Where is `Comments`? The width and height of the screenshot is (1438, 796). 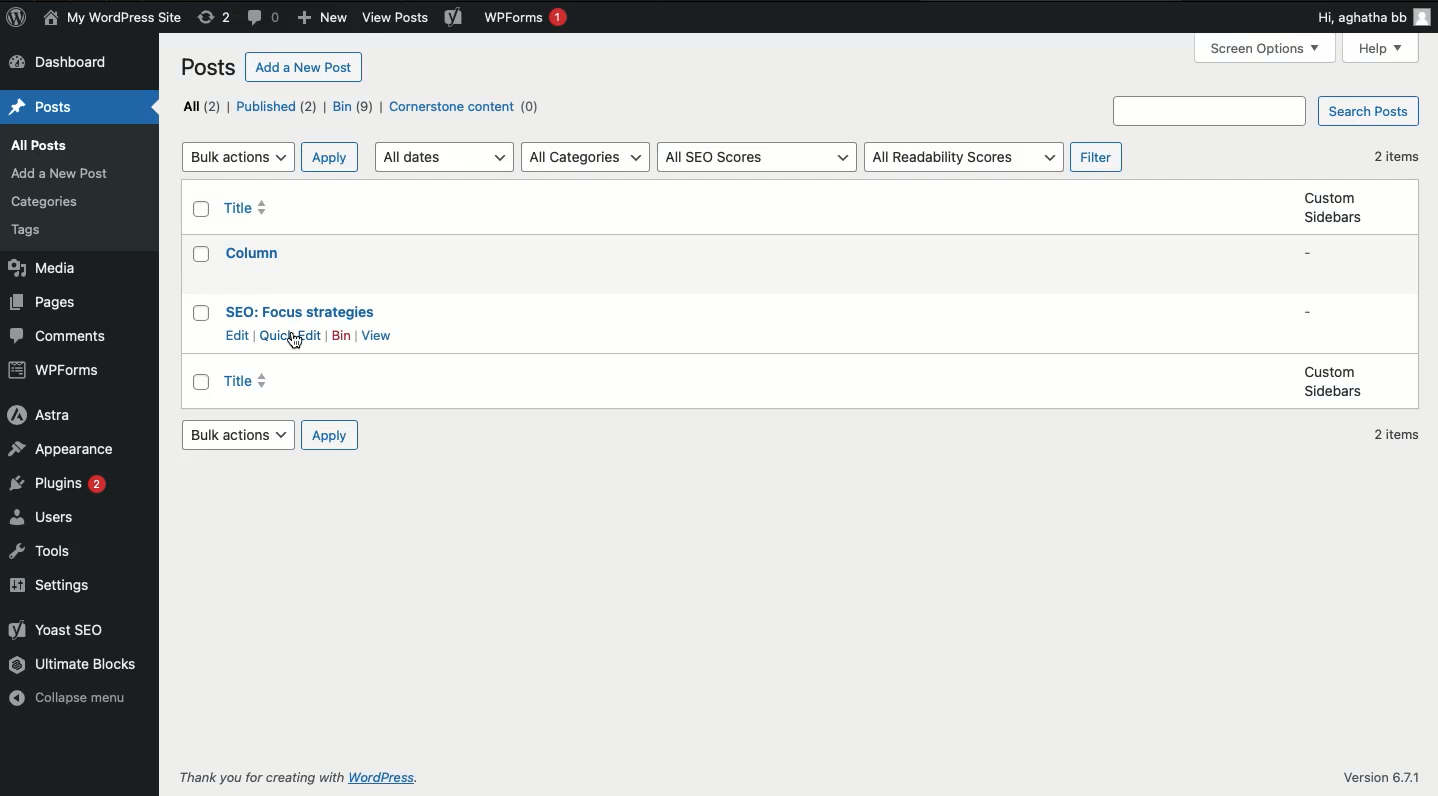
Comments is located at coordinates (266, 19).